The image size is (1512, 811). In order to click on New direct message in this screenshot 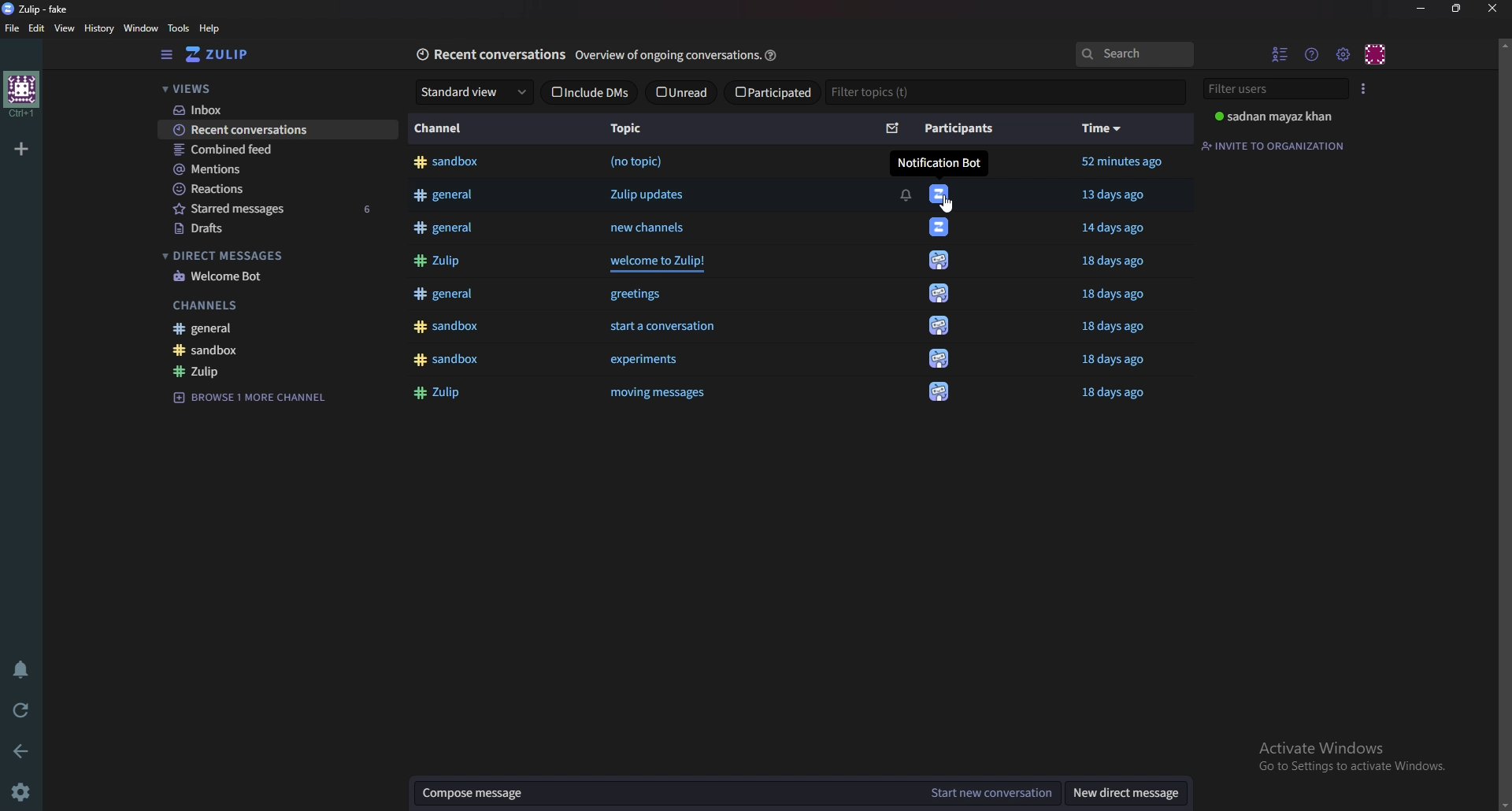, I will do `click(1122, 792)`.